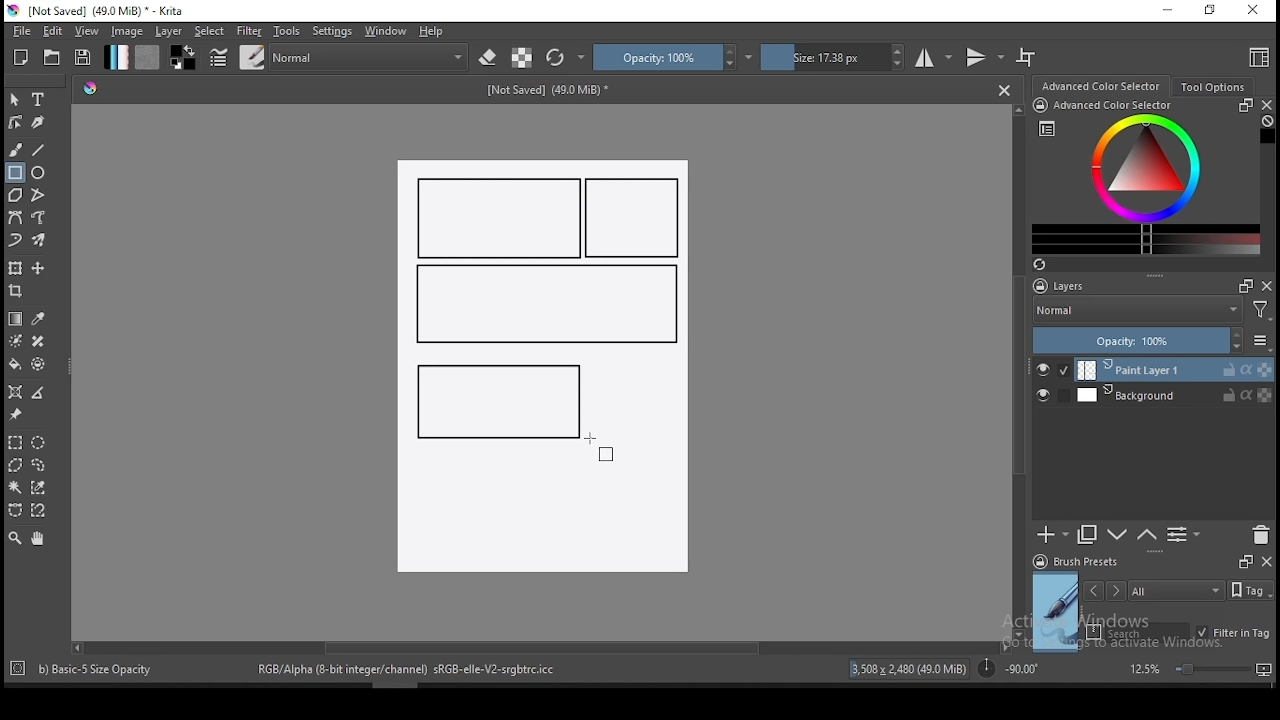 The width and height of the screenshot is (1280, 720). What do you see at coordinates (500, 218) in the screenshot?
I see `new rectangle` at bounding box center [500, 218].